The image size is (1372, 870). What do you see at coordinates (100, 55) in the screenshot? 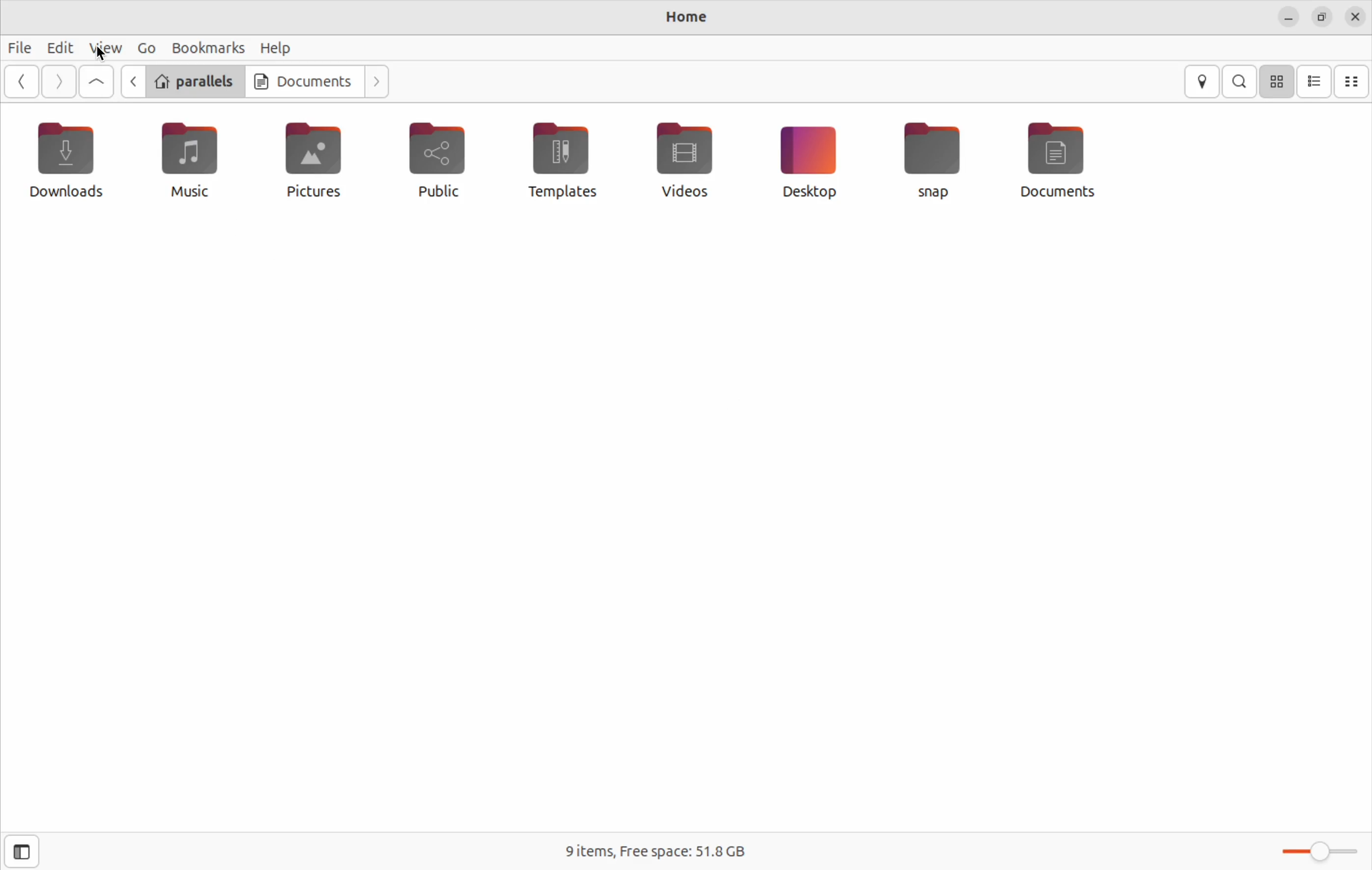
I see `cursor` at bounding box center [100, 55].